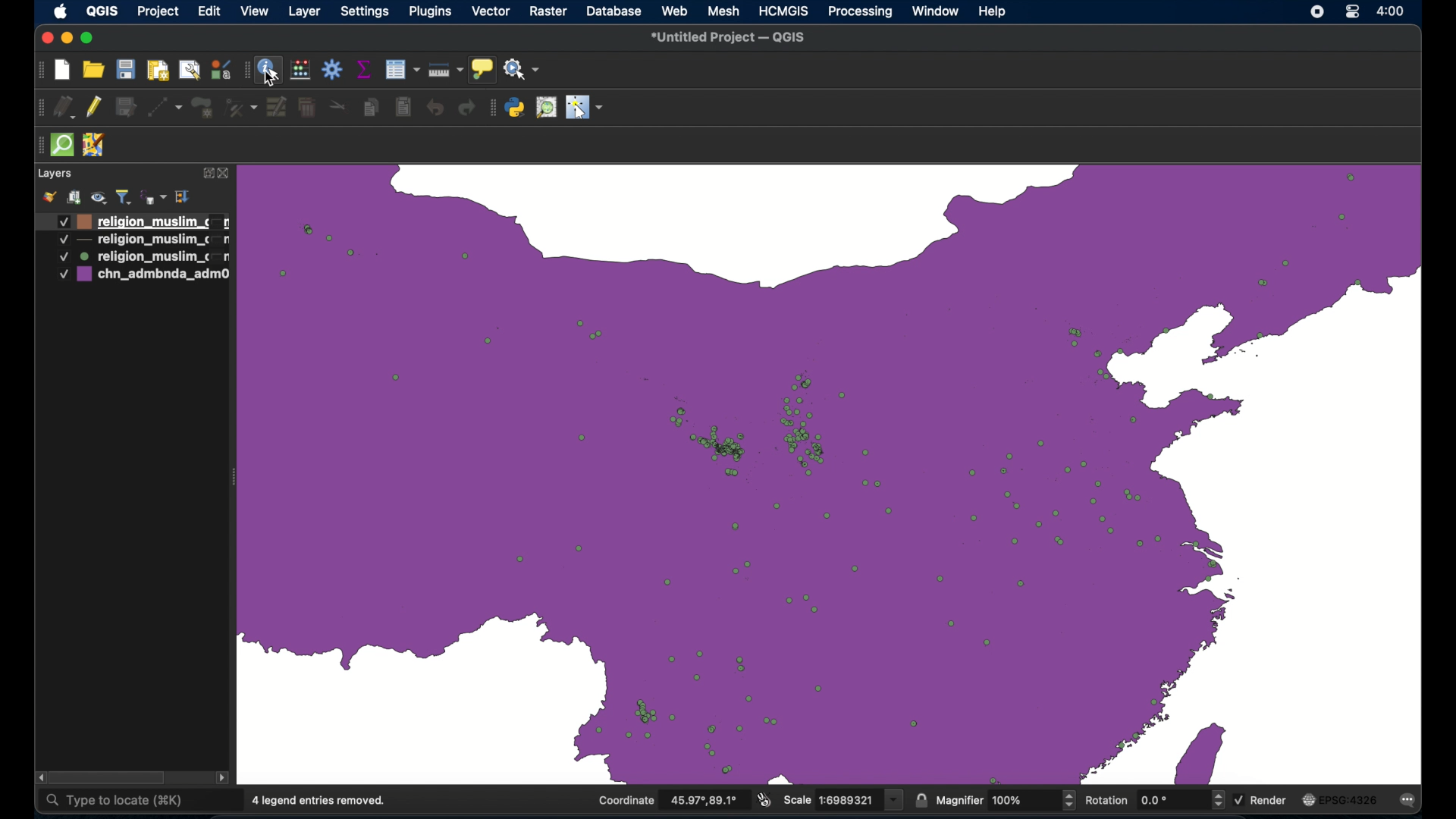 The image size is (1456, 819). I want to click on magnifier, so click(1005, 801).